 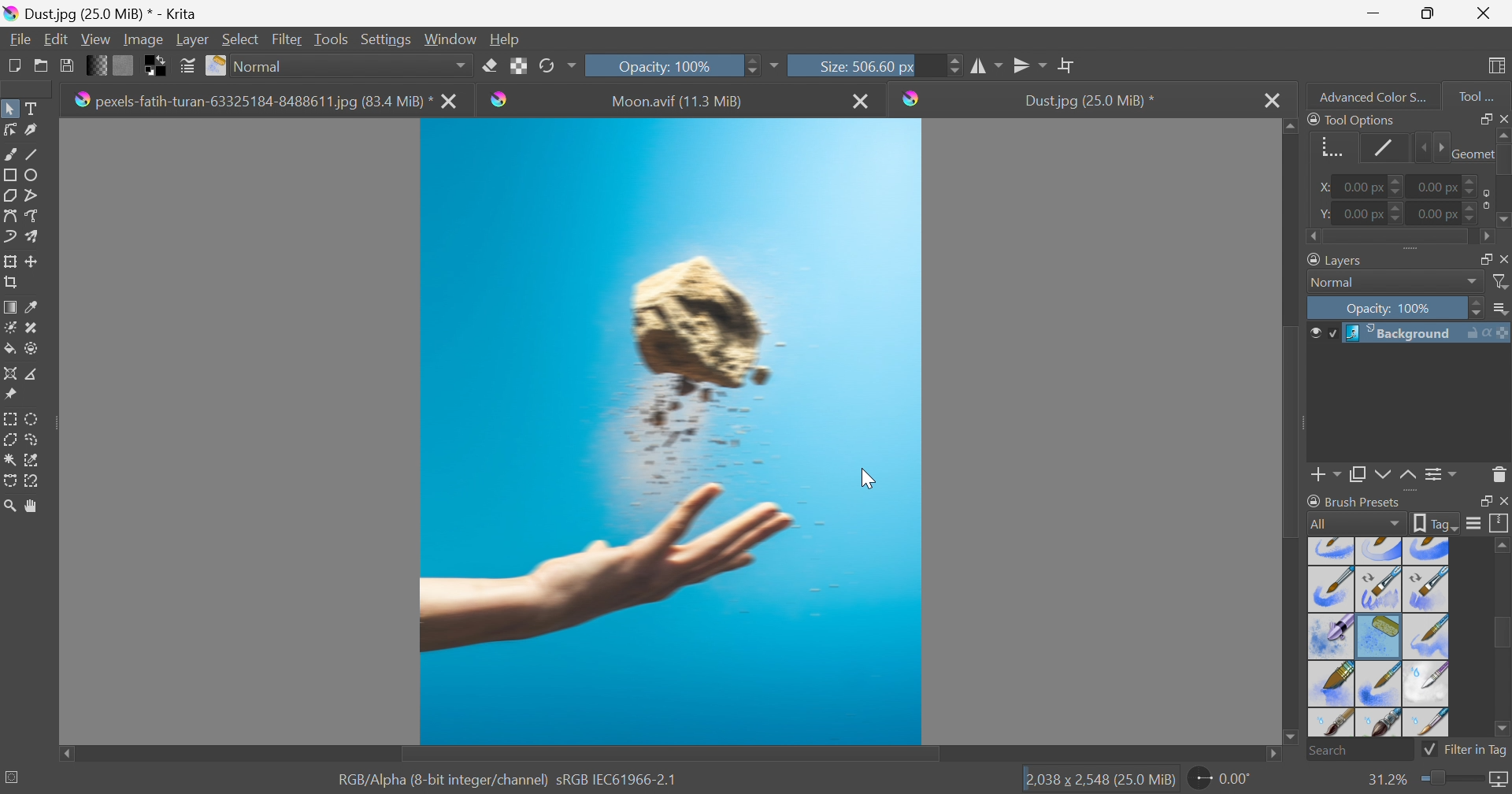 What do you see at coordinates (1398, 213) in the screenshot?
I see `Slider` at bounding box center [1398, 213].